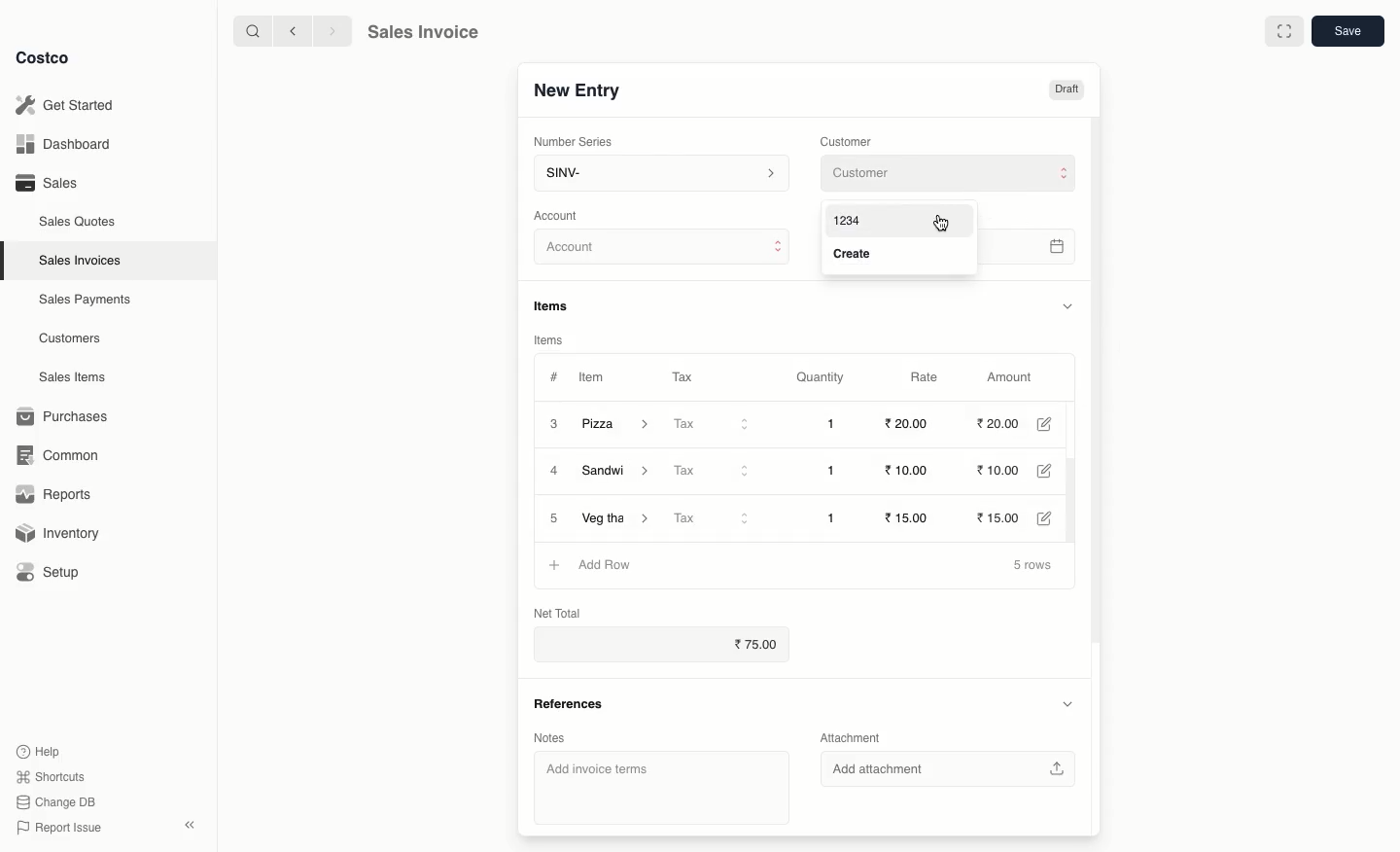  Describe the element at coordinates (552, 423) in the screenshot. I see `3` at that location.